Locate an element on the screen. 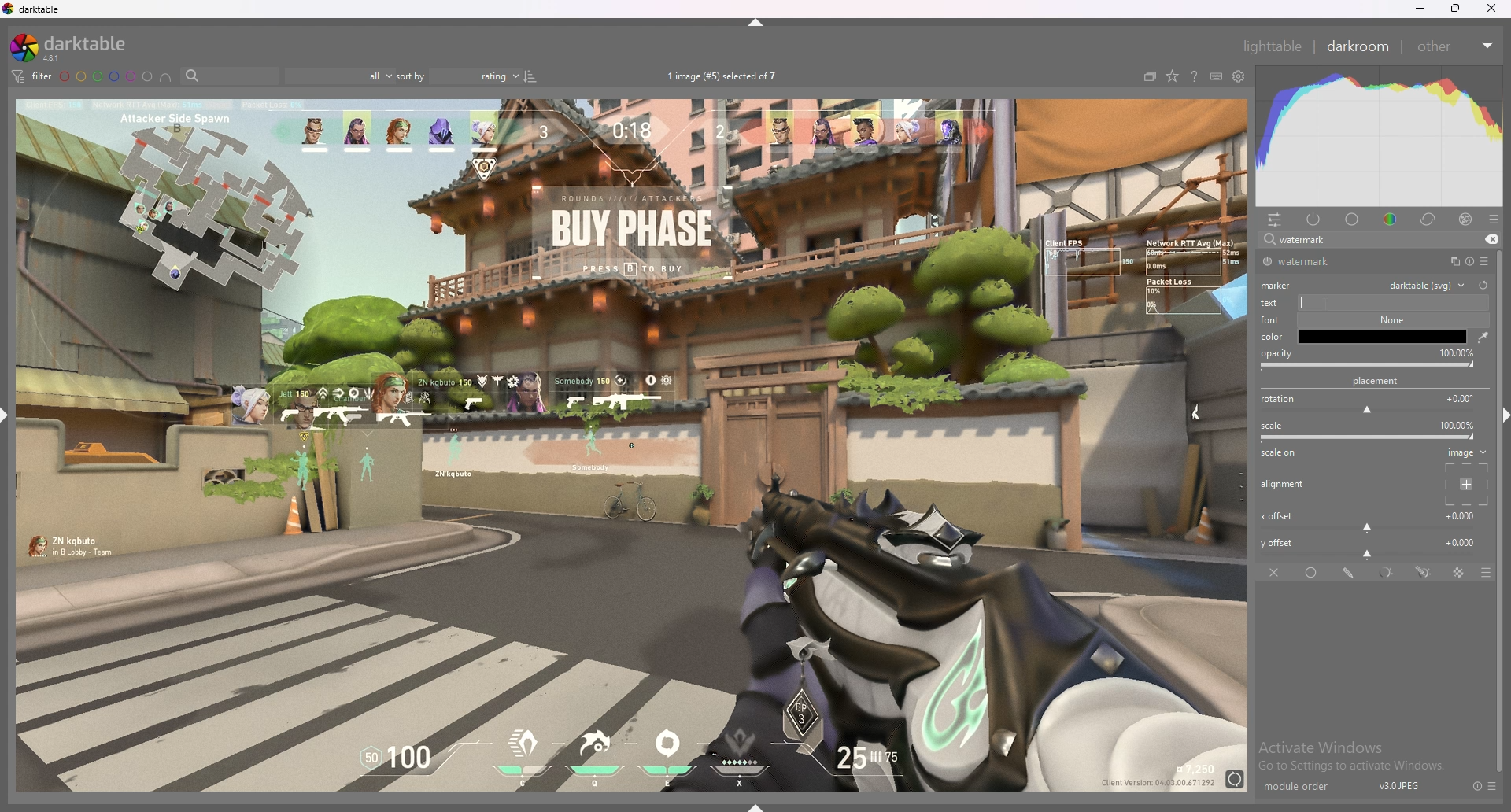 This screenshot has width=1511, height=812. font is located at coordinates (1275, 321).